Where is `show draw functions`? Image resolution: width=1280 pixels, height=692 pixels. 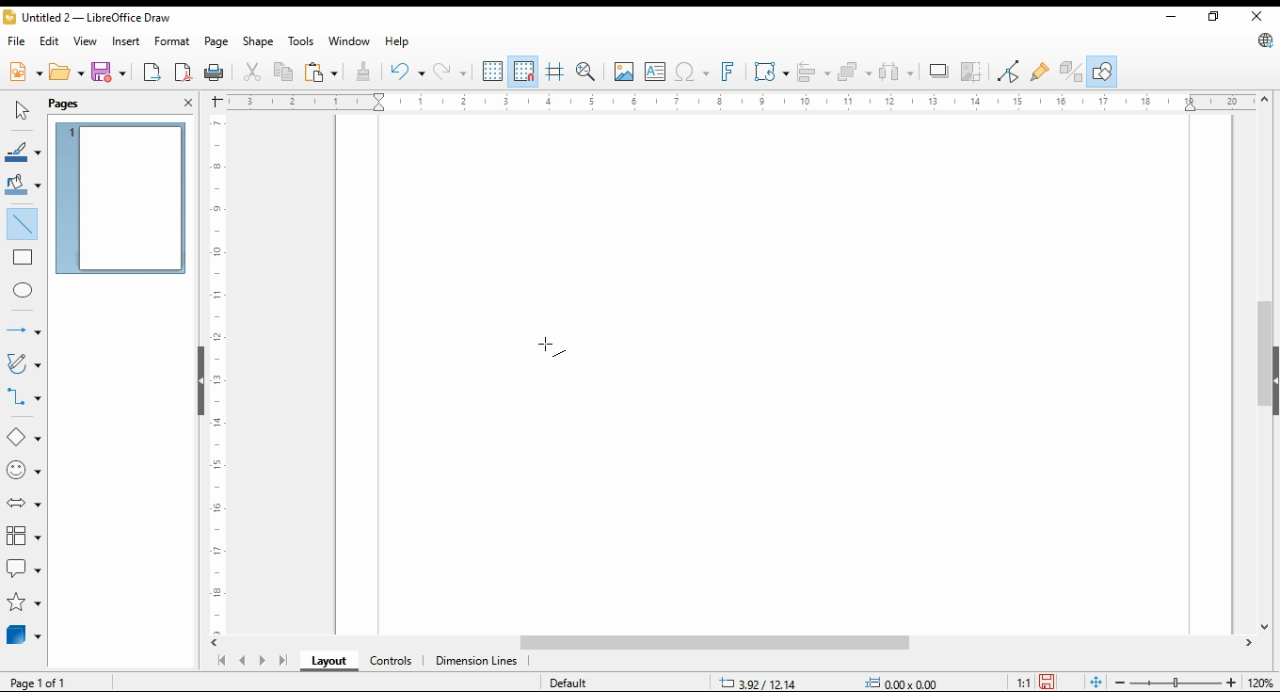 show draw functions is located at coordinates (1100, 72).